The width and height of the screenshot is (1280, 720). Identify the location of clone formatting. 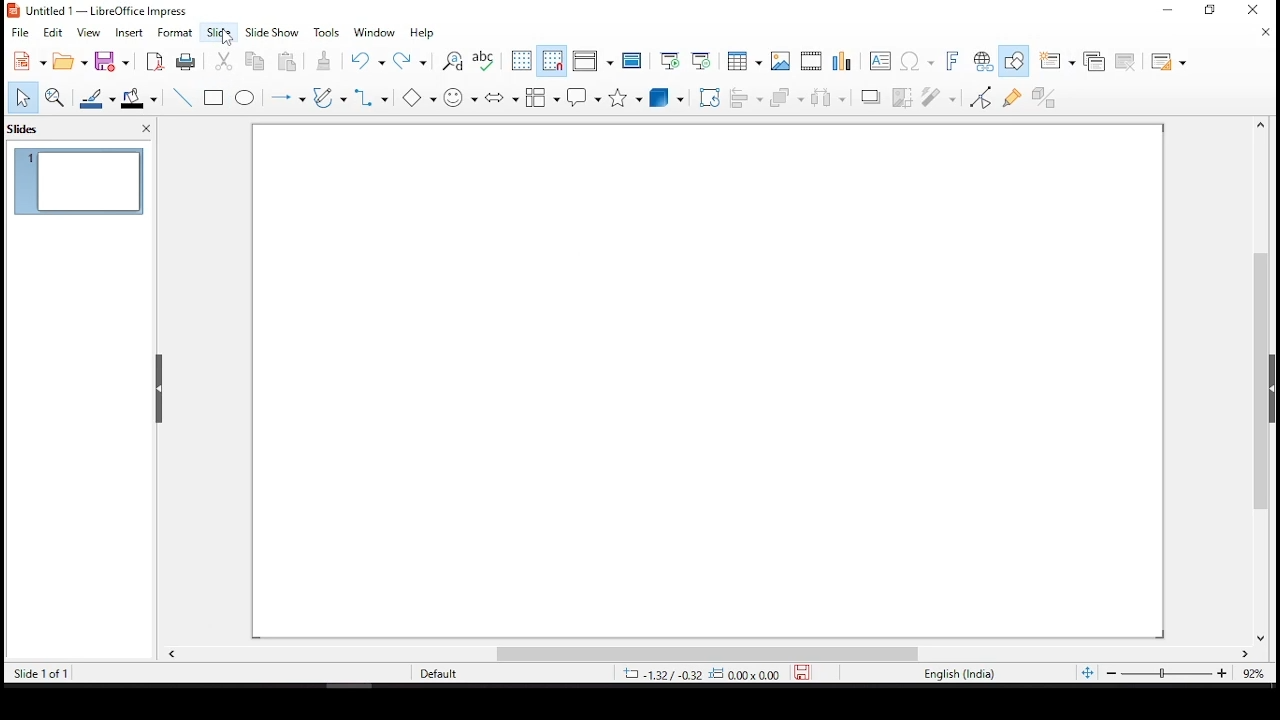
(327, 61).